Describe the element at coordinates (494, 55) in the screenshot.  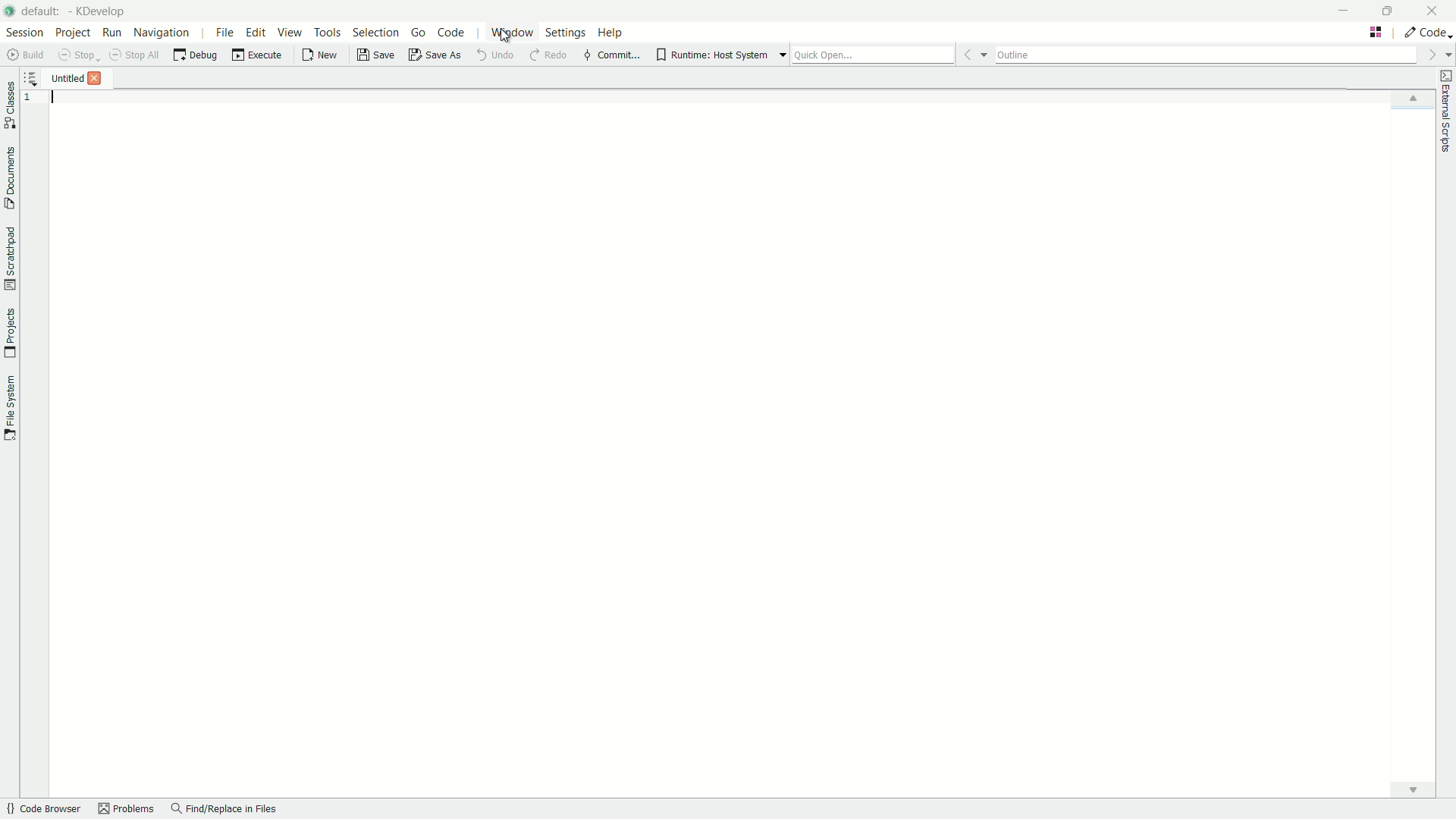
I see `undo` at that location.